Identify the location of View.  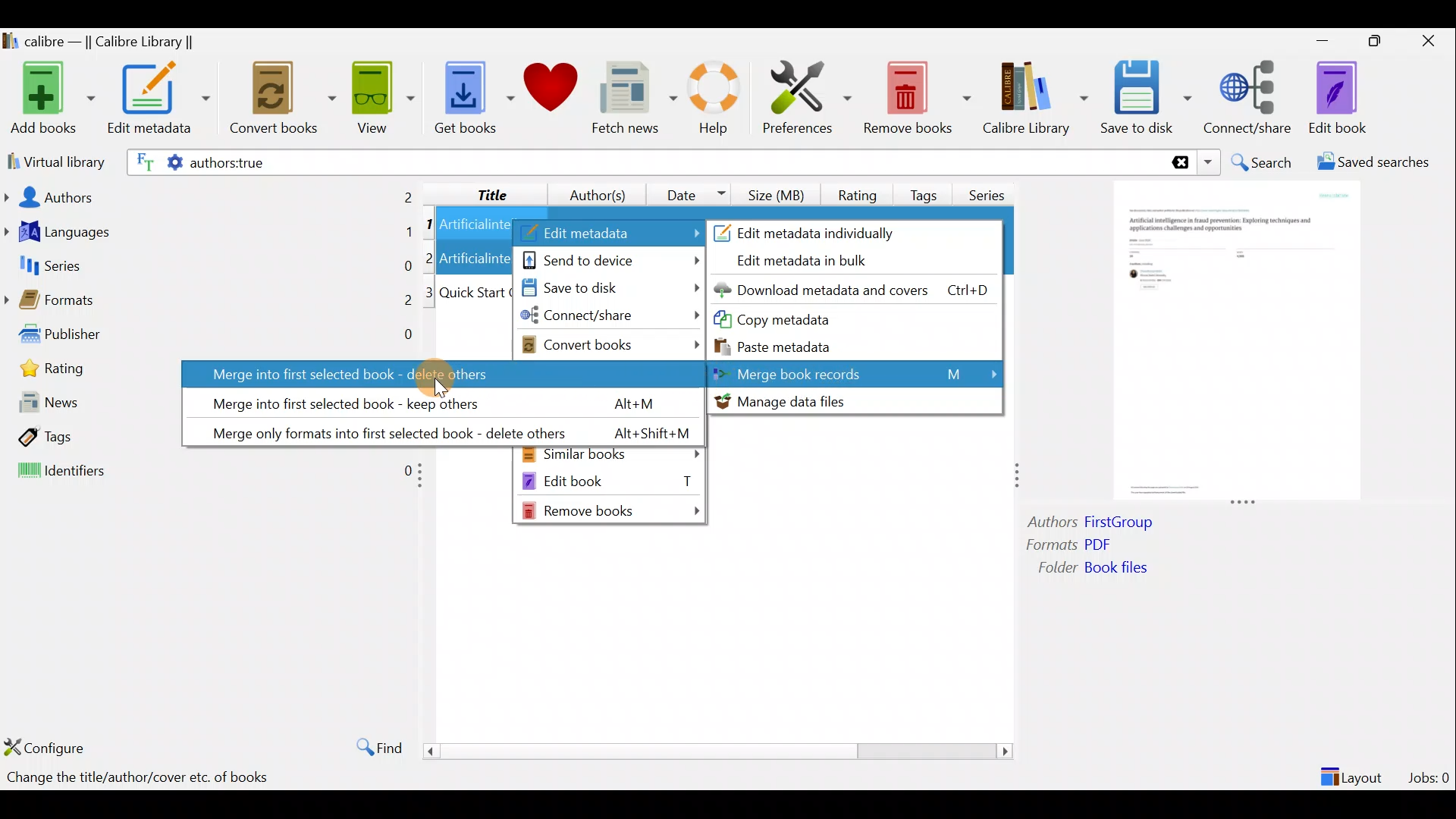
(381, 96).